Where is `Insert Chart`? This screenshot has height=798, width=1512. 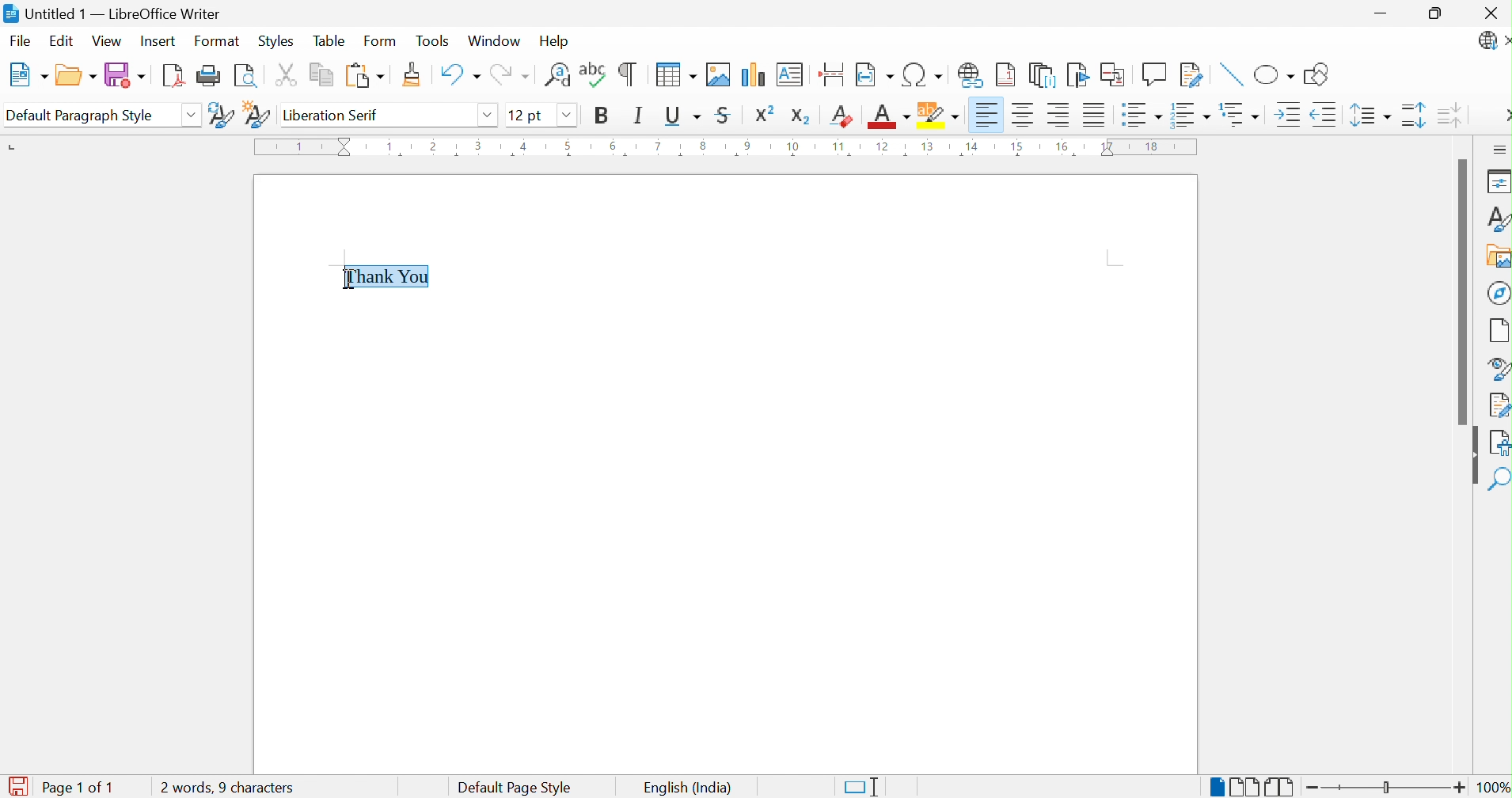 Insert Chart is located at coordinates (752, 74).